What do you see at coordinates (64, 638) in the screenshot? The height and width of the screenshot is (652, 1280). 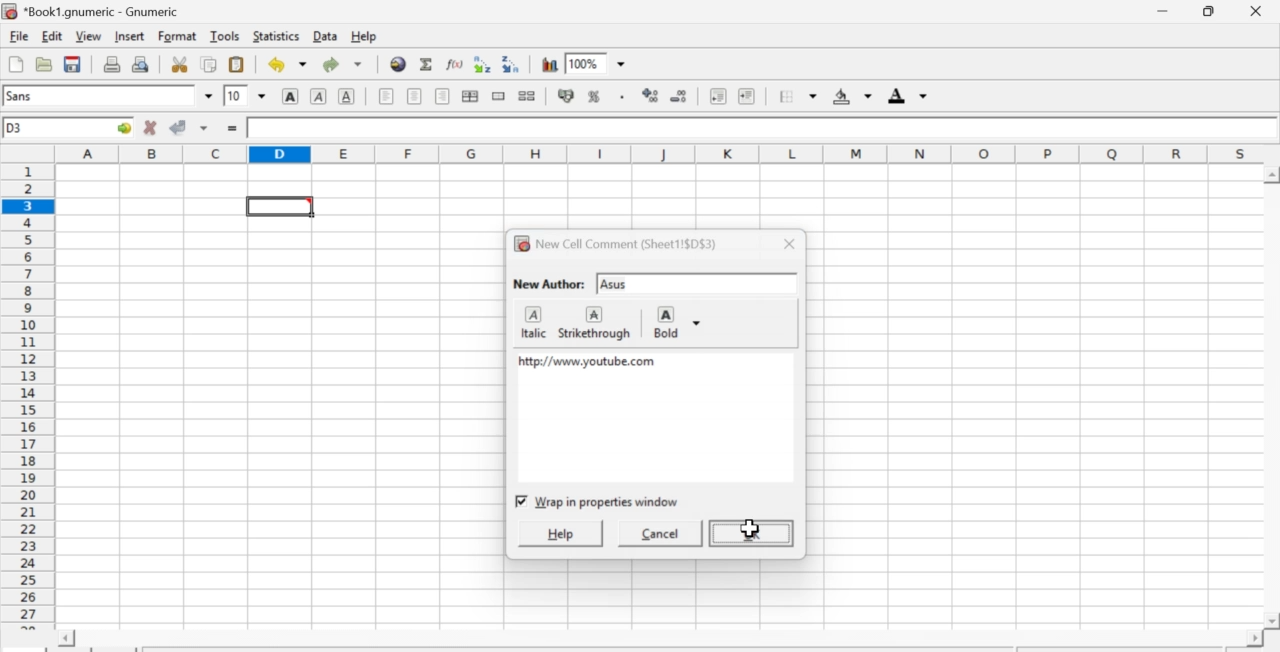 I see `scroll left` at bounding box center [64, 638].